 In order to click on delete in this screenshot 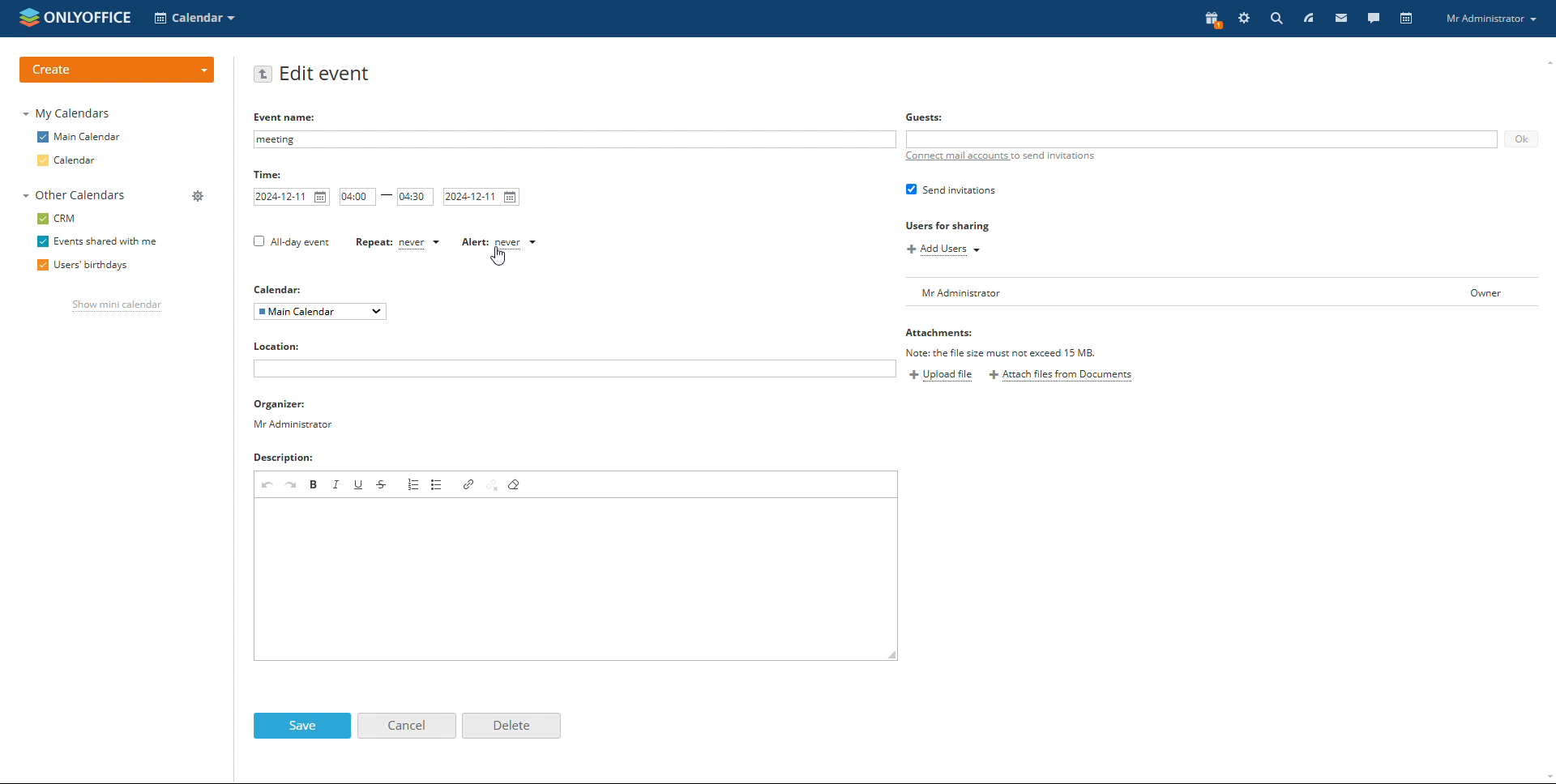, I will do `click(511, 726)`.